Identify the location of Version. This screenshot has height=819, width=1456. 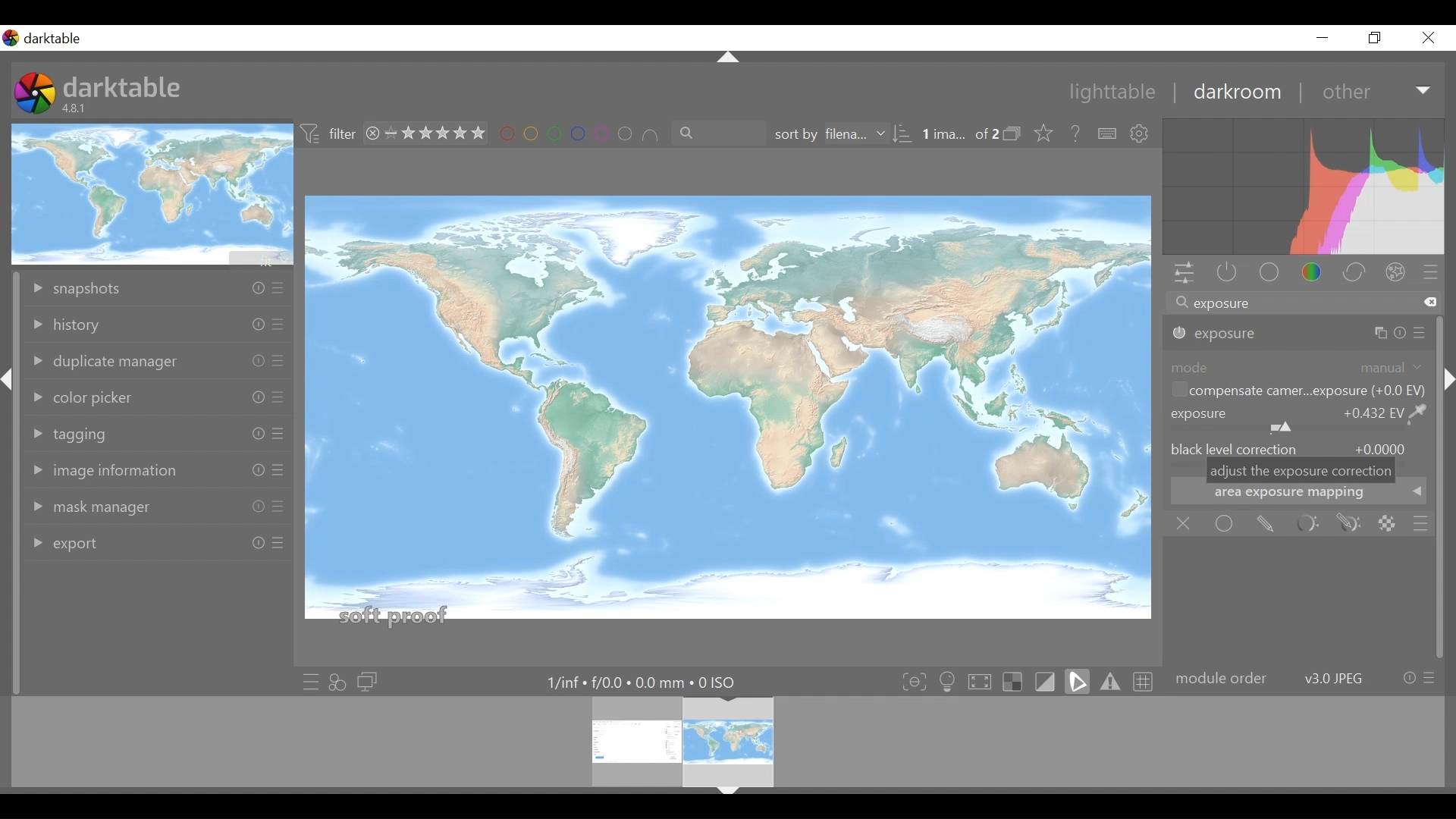
(77, 108).